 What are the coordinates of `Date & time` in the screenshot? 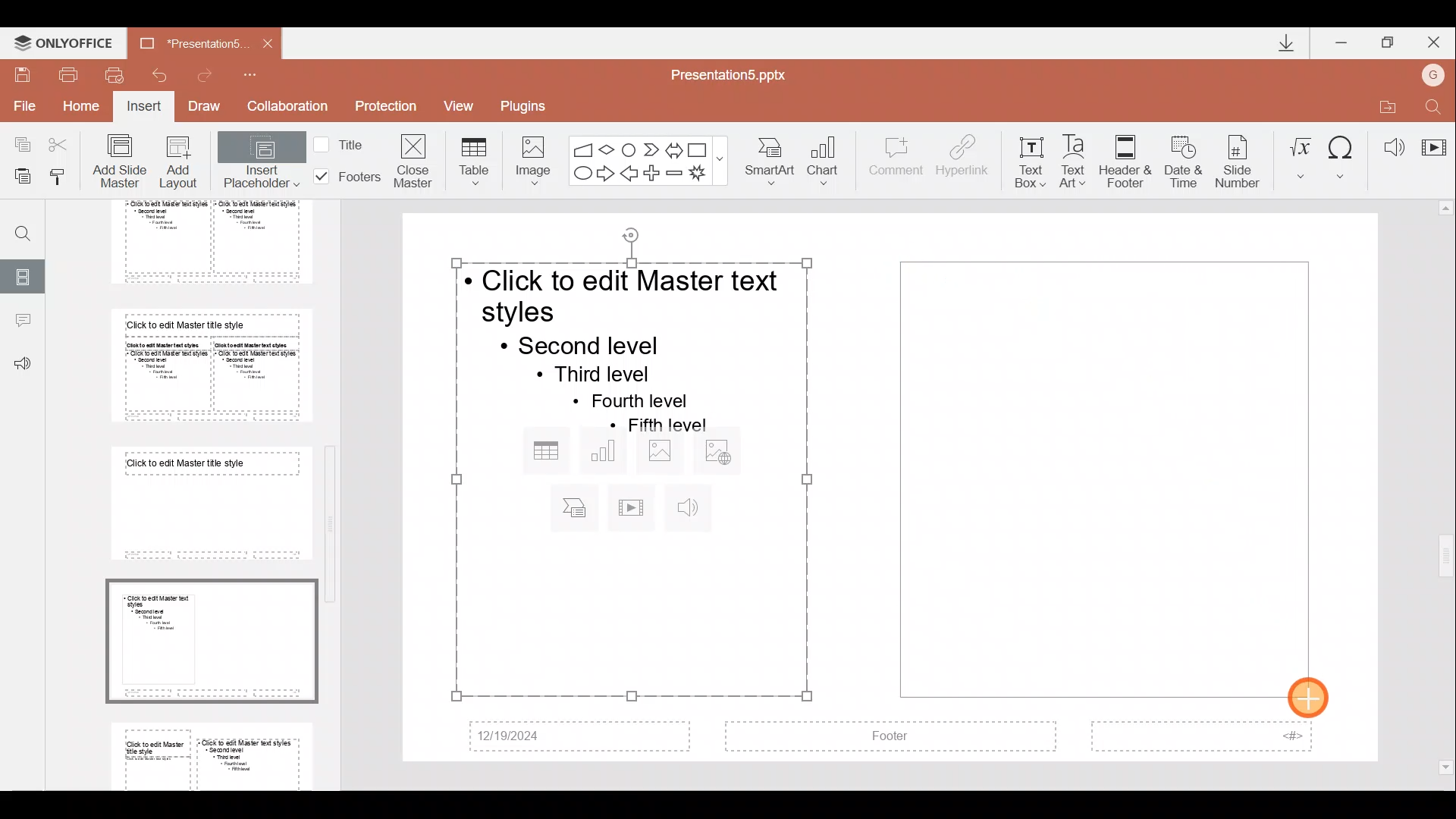 It's located at (1180, 158).